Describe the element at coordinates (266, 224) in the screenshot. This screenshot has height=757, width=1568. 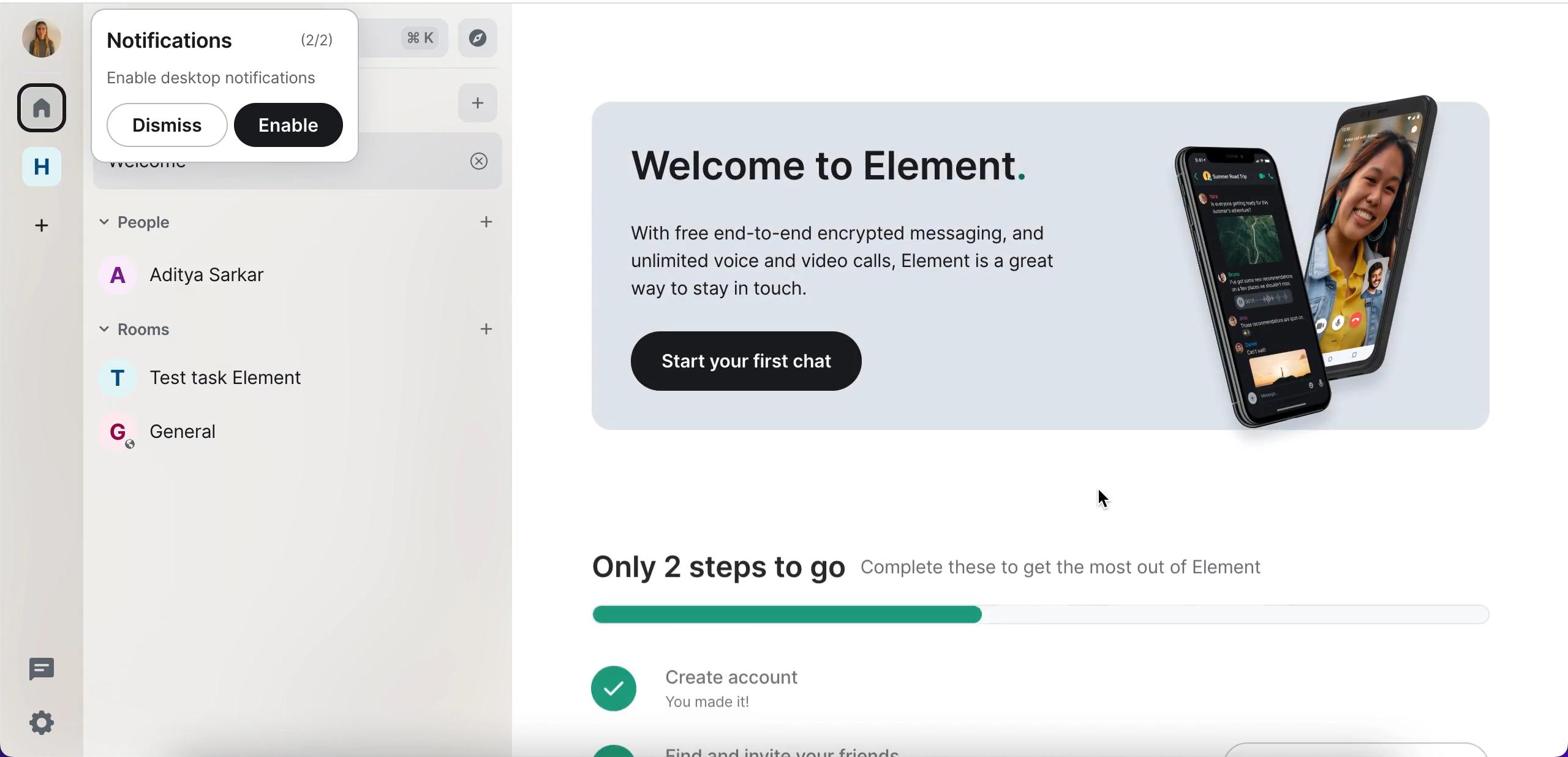
I see `people` at that location.